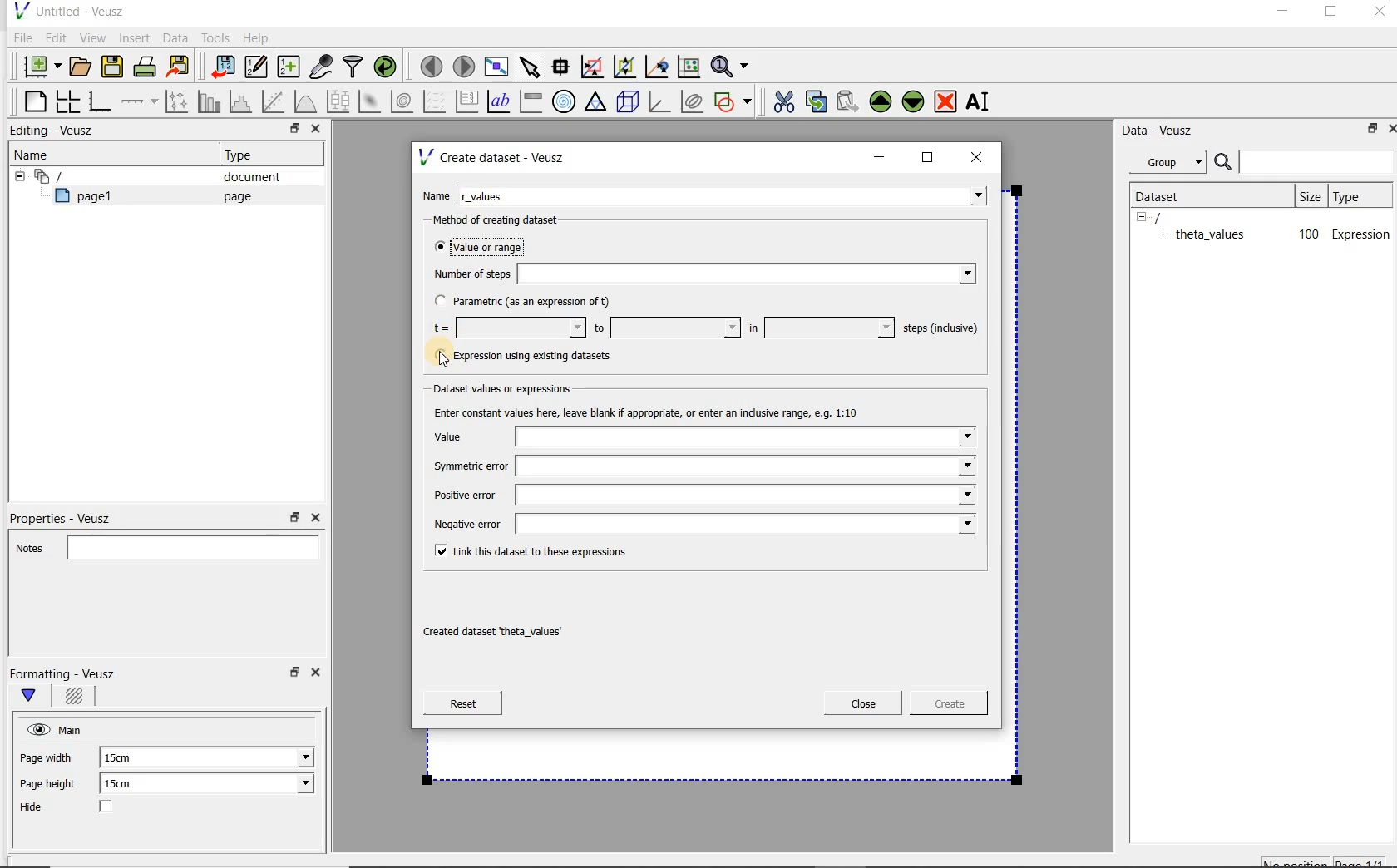 This screenshot has height=868, width=1397. I want to click on Main, so click(73, 728).